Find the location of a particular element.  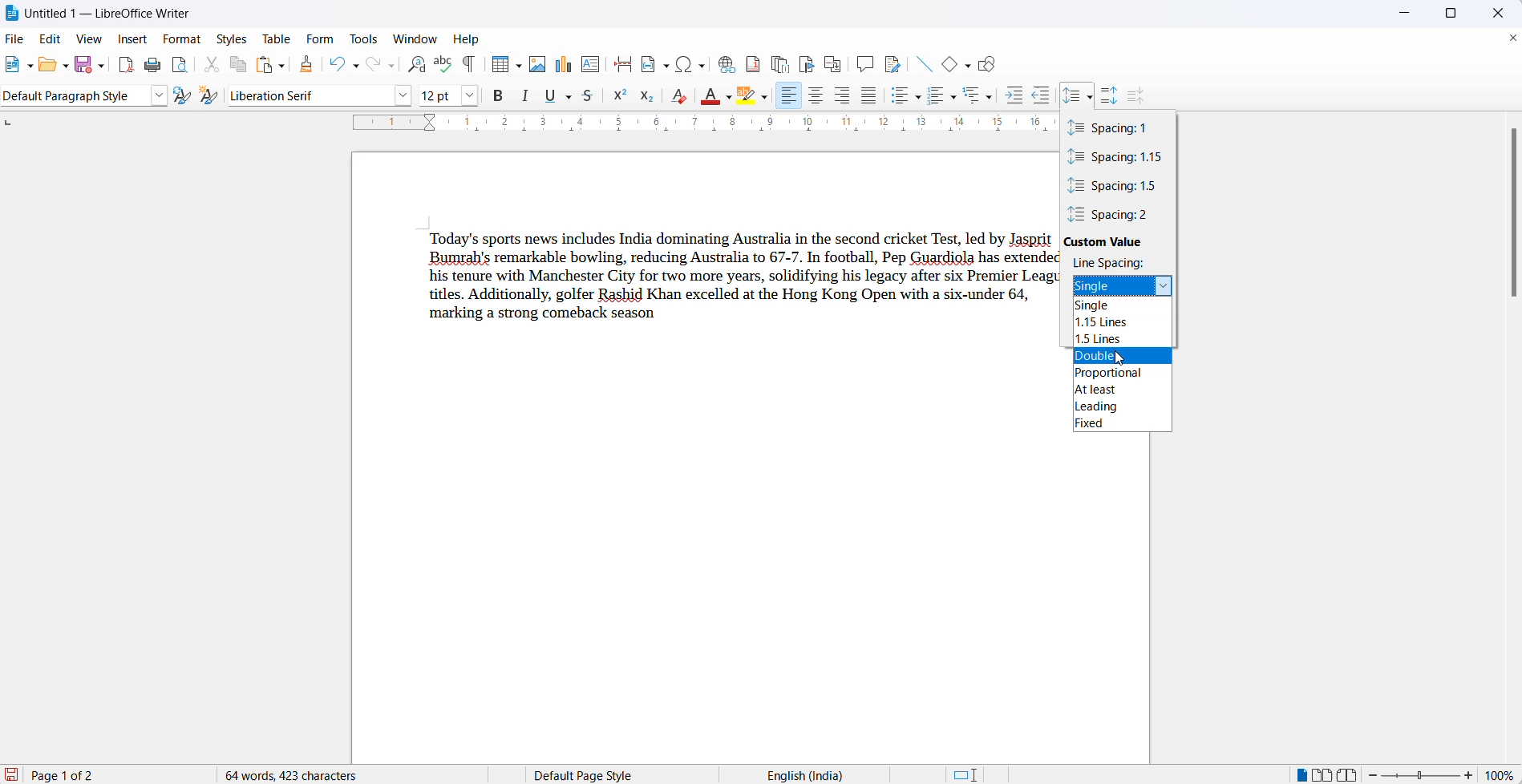

toggle ordered list is located at coordinates (933, 94).